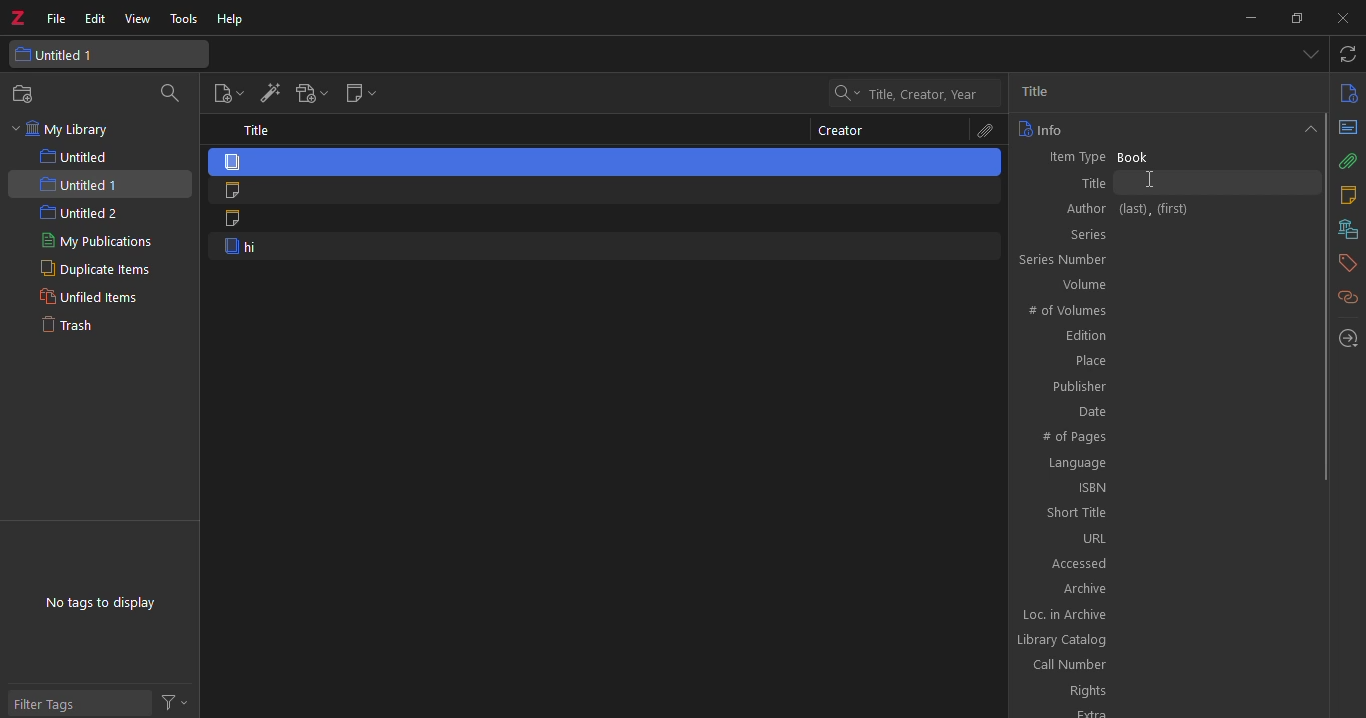 The width and height of the screenshot is (1366, 718). Describe the element at coordinates (1163, 640) in the screenshot. I see `library catalog` at that location.